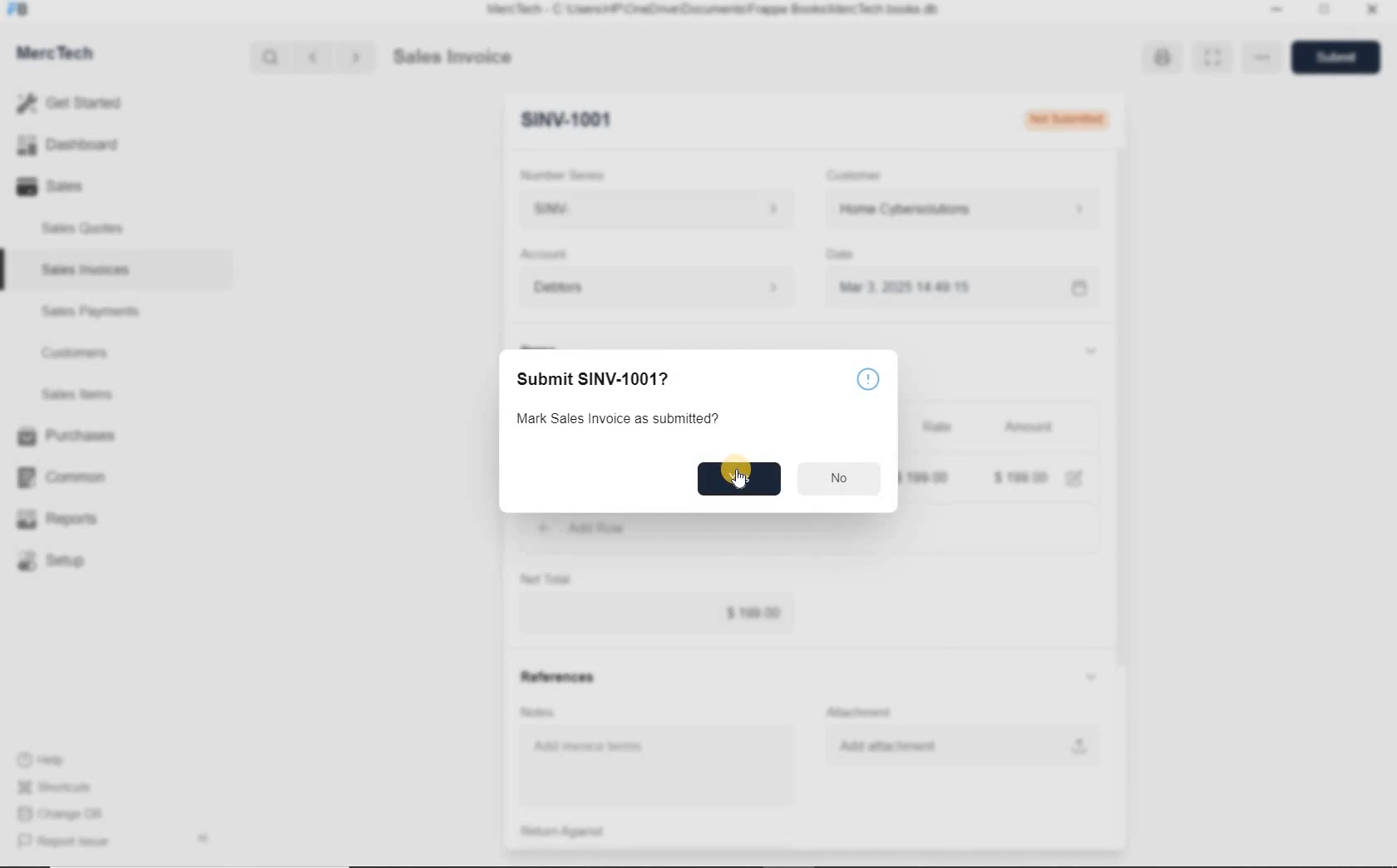 This screenshot has height=868, width=1397. Describe the element at coordinates (868, 379) in the screenshot. I see `warning sign` at that location.